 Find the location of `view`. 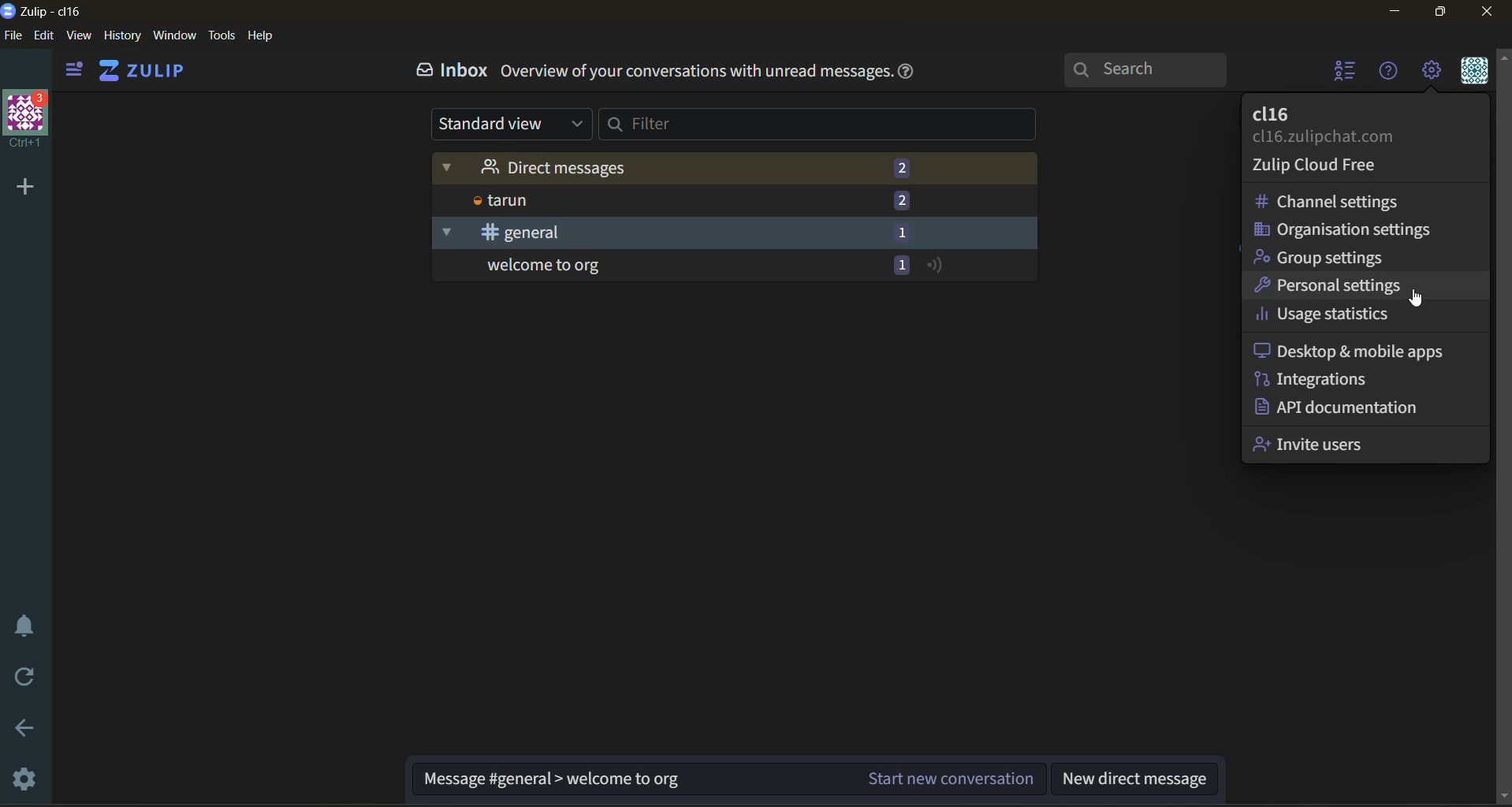

view is located at coordinates (79, 35).